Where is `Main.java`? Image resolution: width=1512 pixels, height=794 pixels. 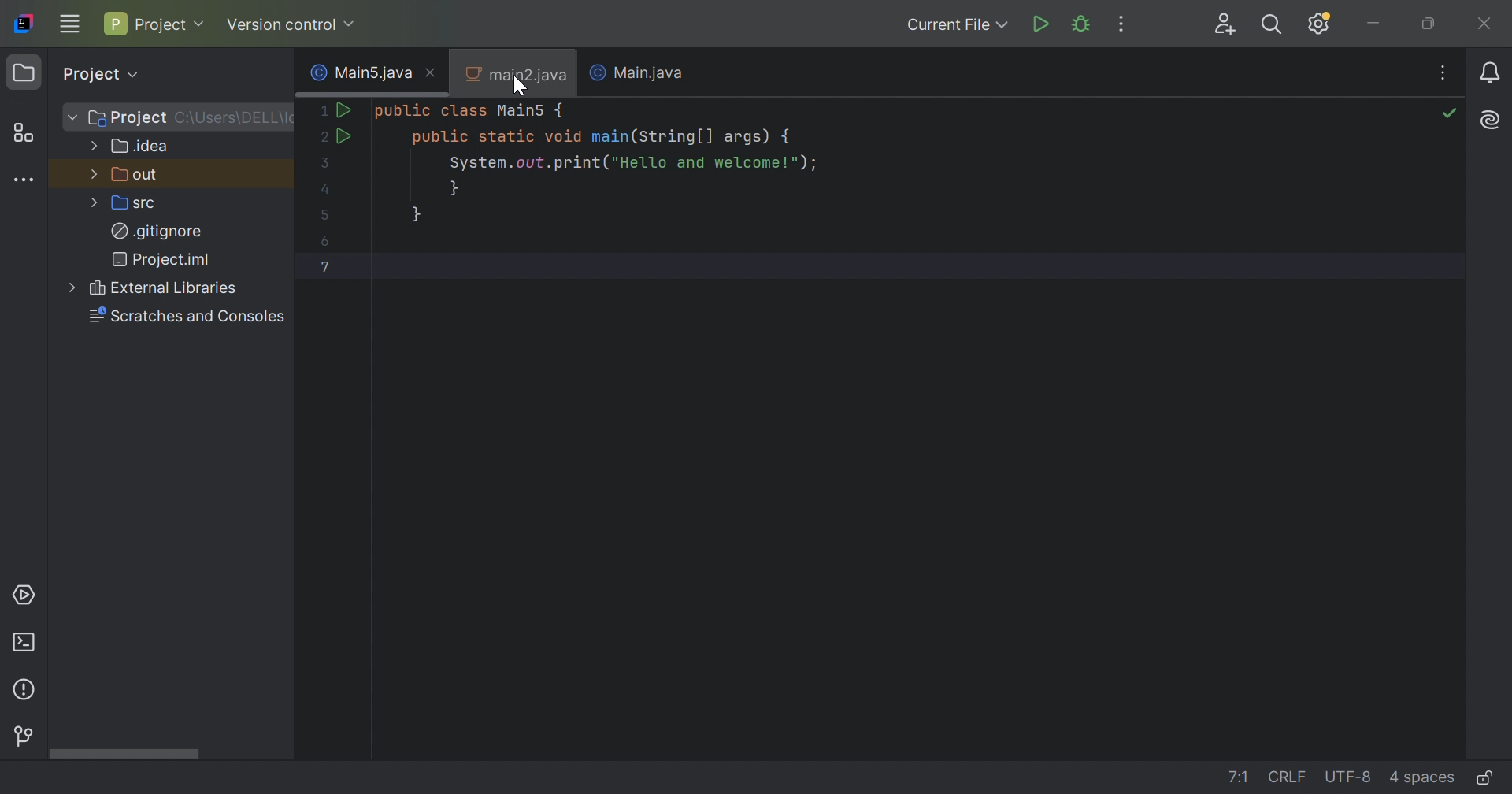 Main.java is located at coordinates (653, 73).